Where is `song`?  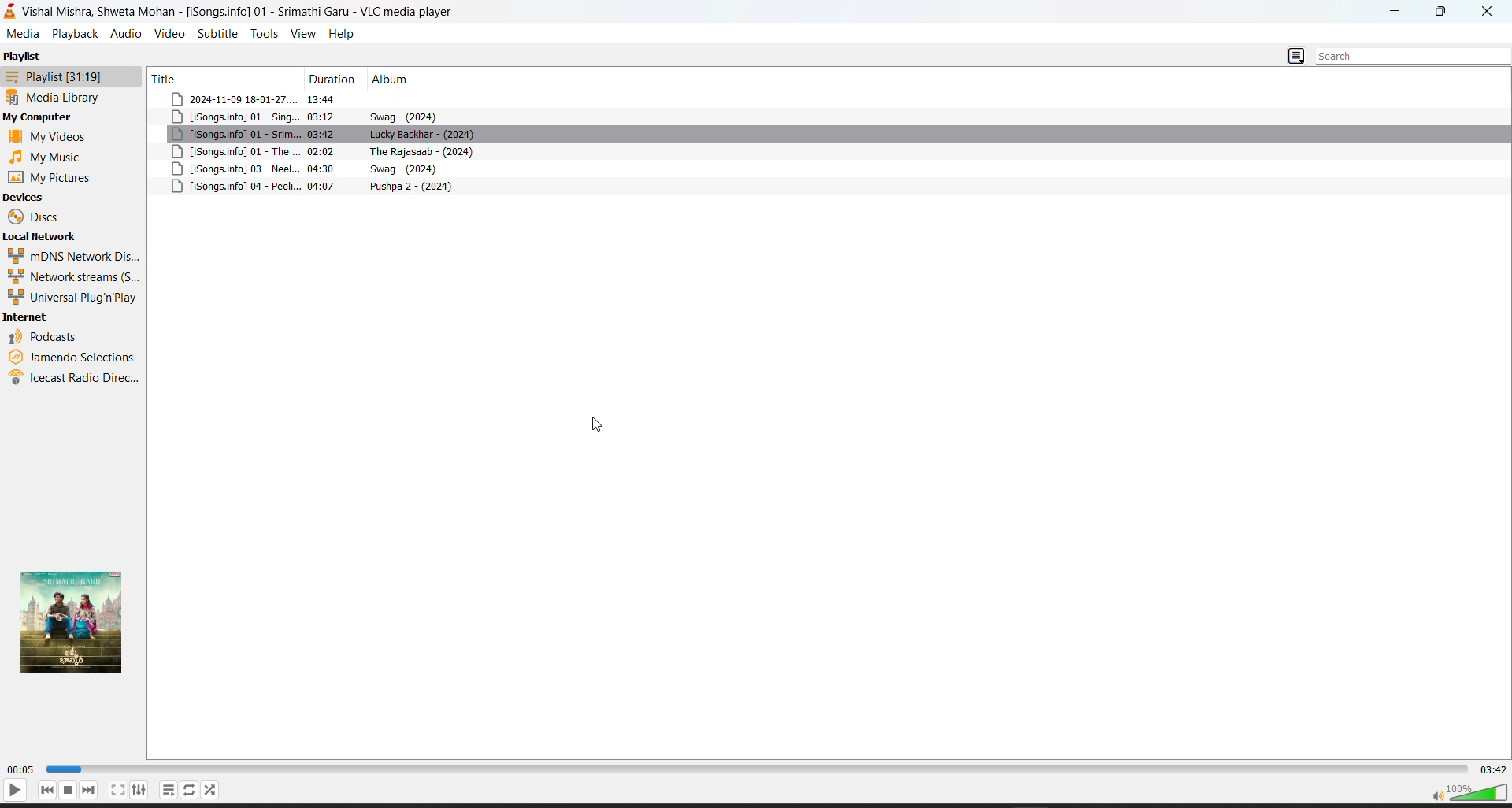 song is located at coordinates (829, 135).